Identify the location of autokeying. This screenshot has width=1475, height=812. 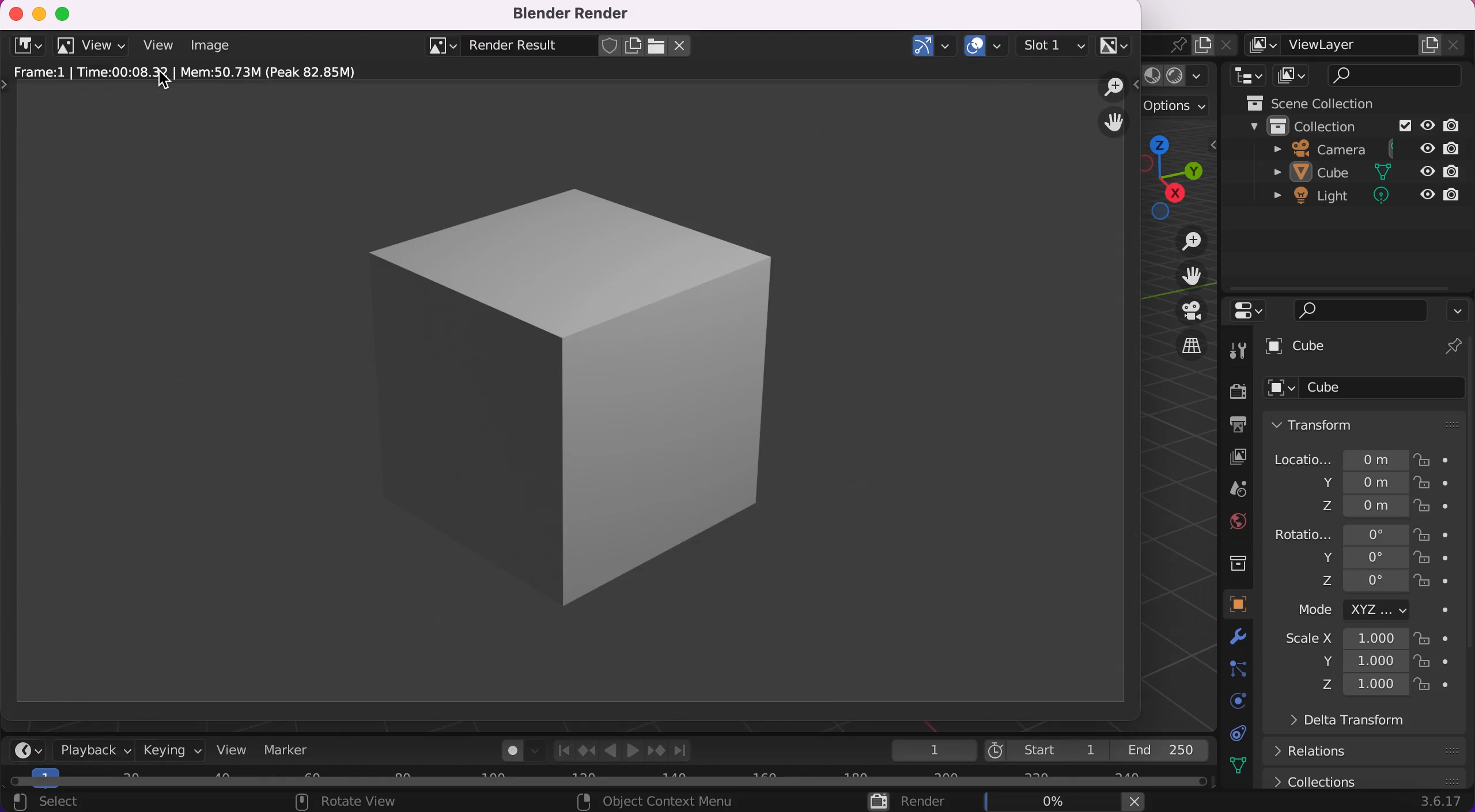
(502, 751).